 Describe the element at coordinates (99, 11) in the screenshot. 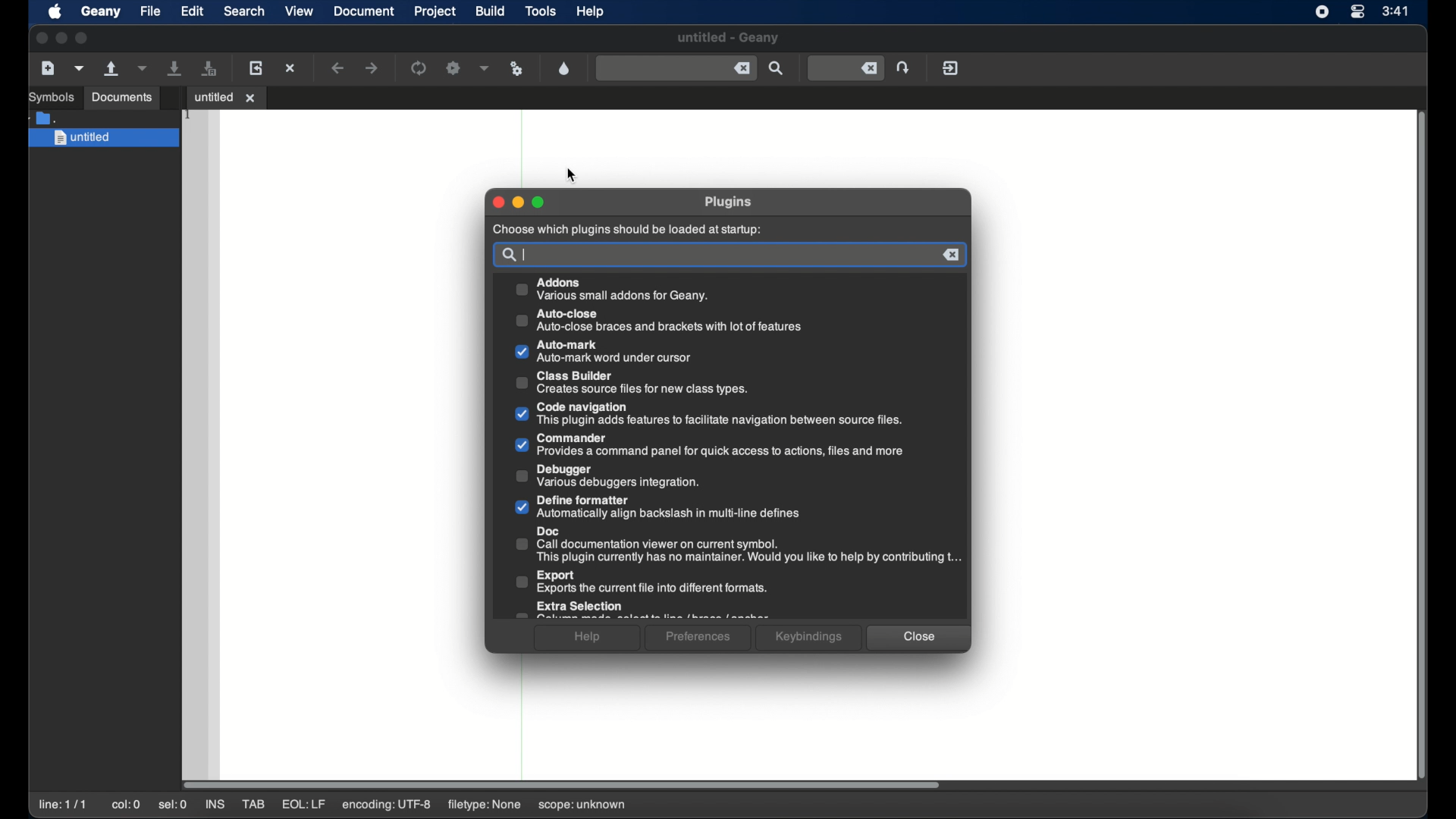

I see `geany` at that location.